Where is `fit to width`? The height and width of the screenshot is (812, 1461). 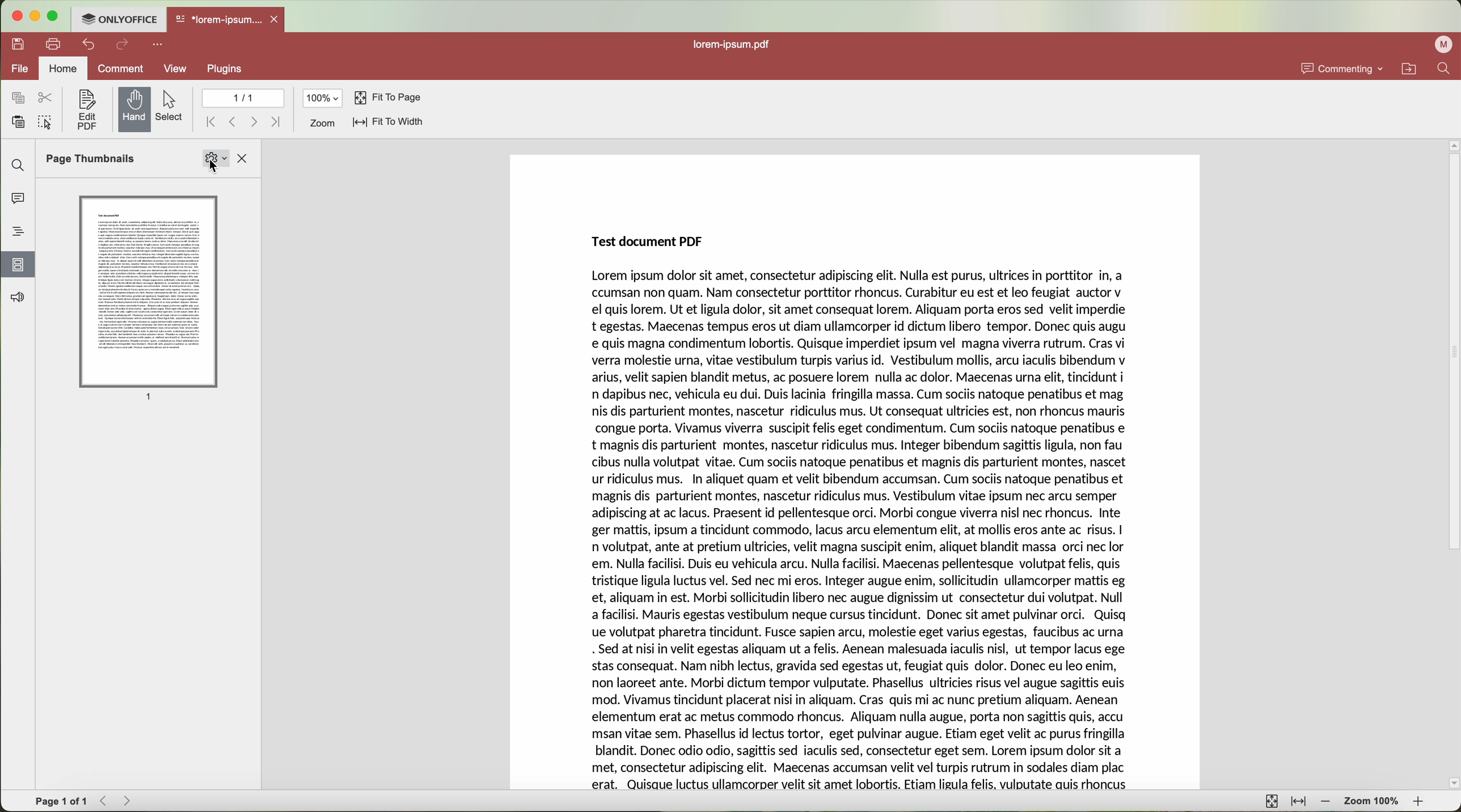 fit to width is located at coordinates (1300, 802).